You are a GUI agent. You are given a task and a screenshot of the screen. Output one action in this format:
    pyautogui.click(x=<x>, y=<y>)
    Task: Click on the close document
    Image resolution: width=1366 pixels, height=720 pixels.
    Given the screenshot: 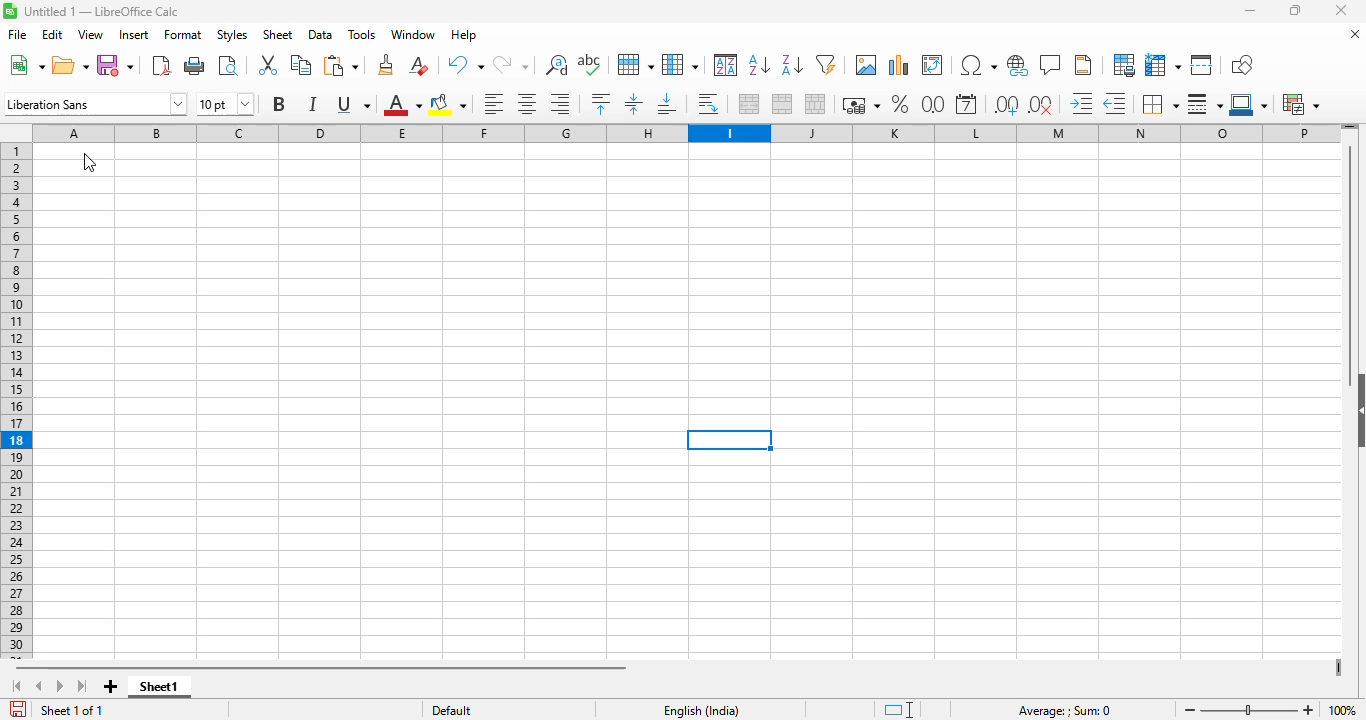 What is the action you would take?
    pyautogui.click(x=1355, y=34)
    